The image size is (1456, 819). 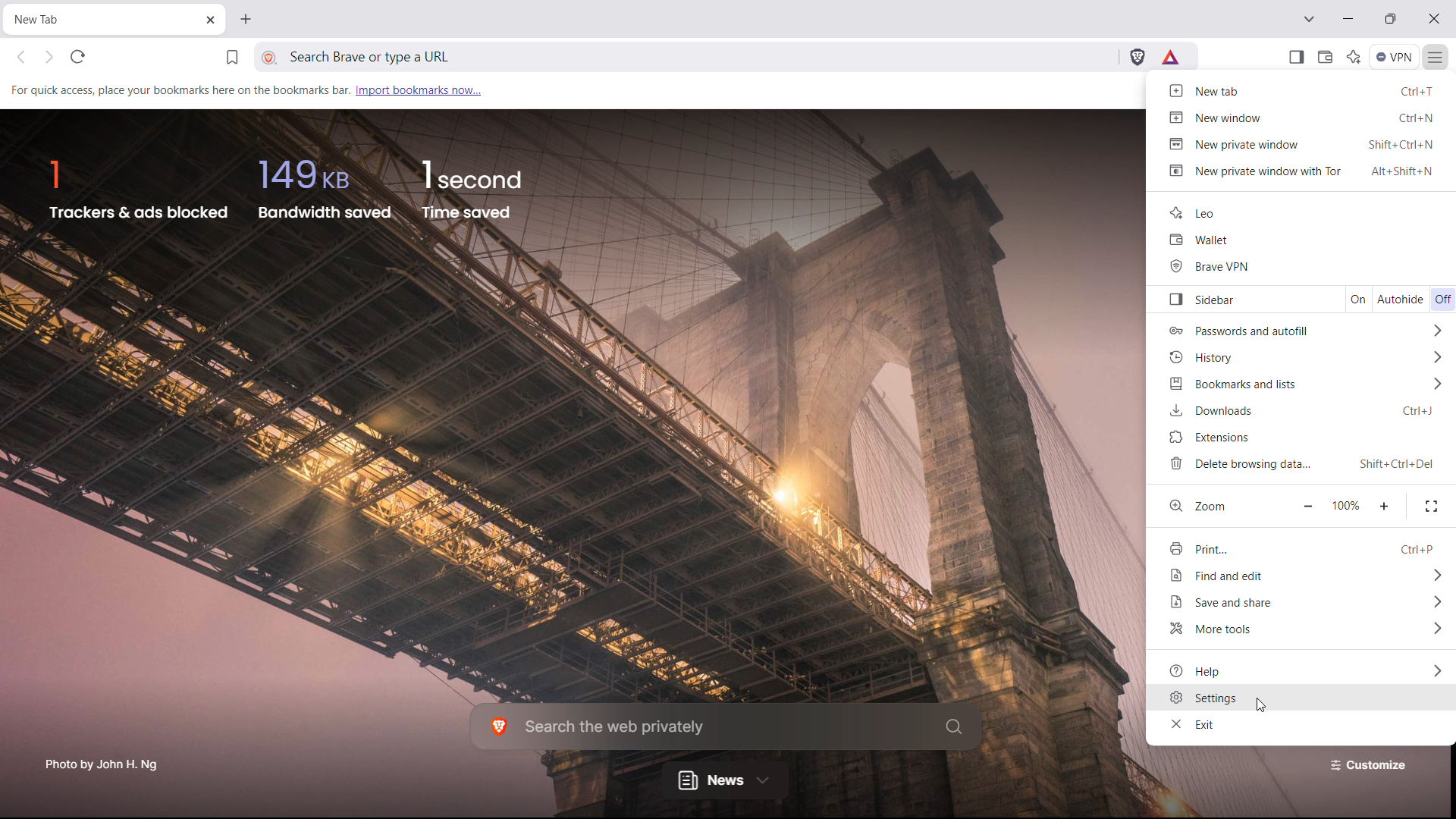 What do you see at coordinates (480, 188) in the screenshot?
I see `1 second Time saved` at bounding box center [480, 188].